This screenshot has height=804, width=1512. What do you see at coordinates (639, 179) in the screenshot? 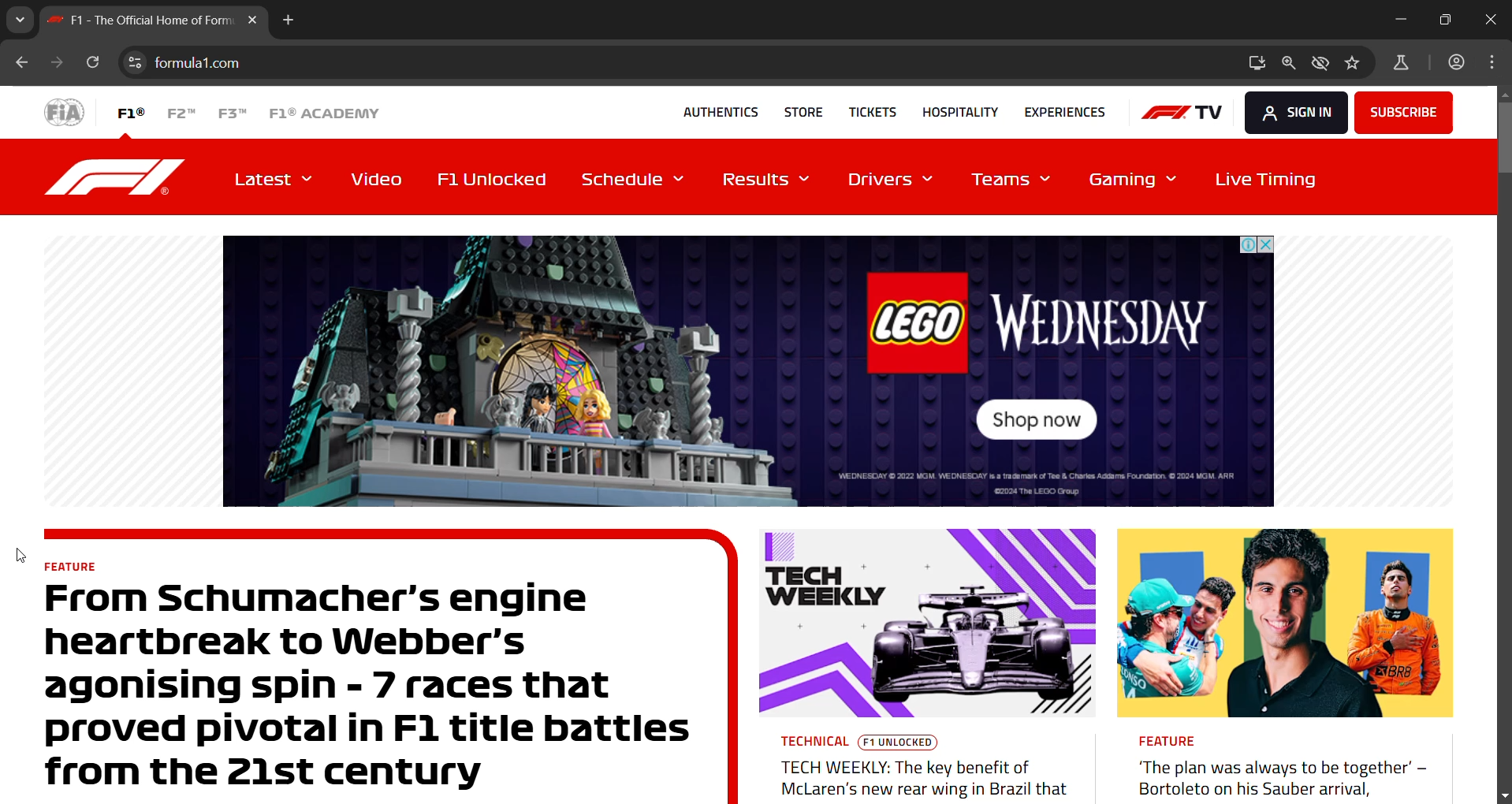
I see `Schedule` at bounding box center [639, 179].